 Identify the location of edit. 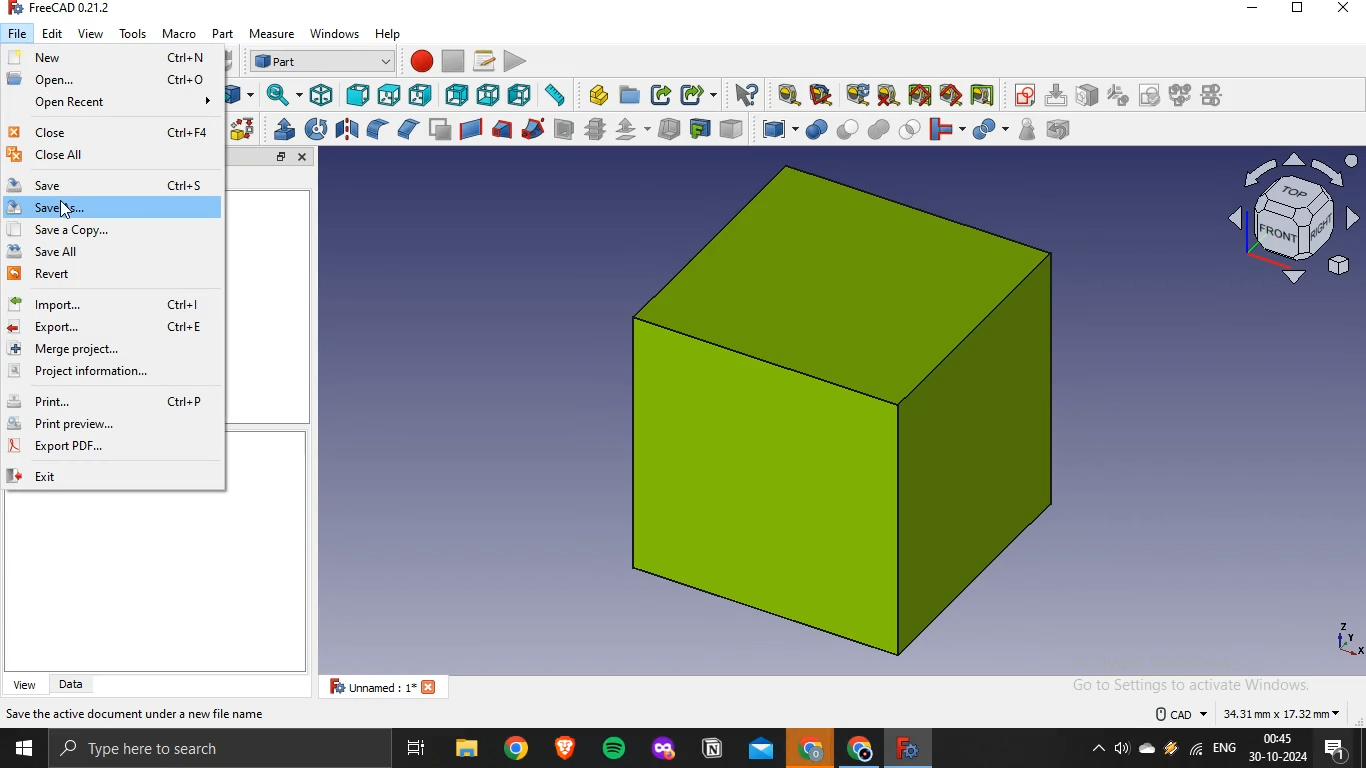
(51, 34).